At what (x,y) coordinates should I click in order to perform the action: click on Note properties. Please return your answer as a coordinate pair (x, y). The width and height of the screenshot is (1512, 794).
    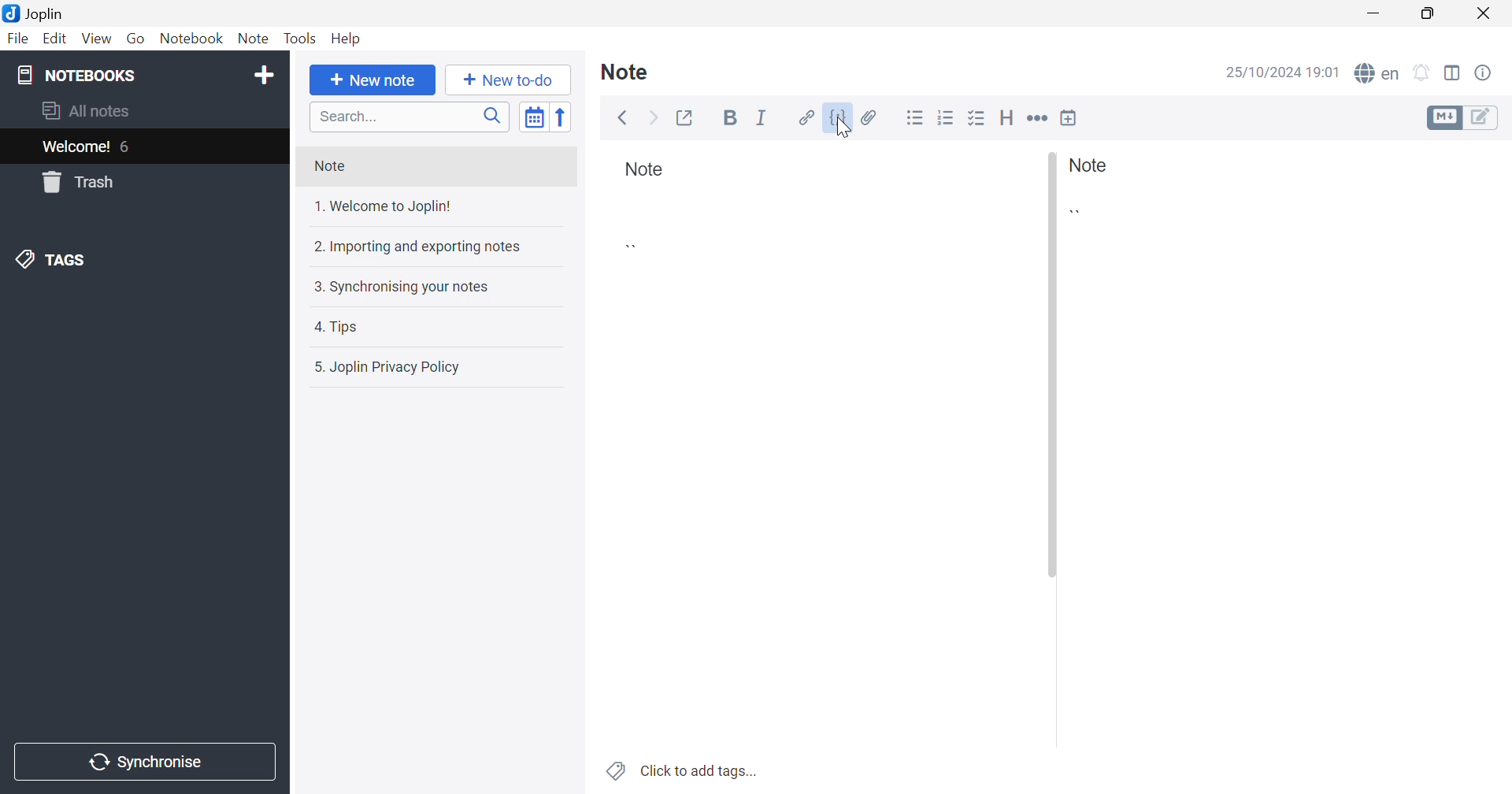
    Looking at the image, I should click on (1482, 75).